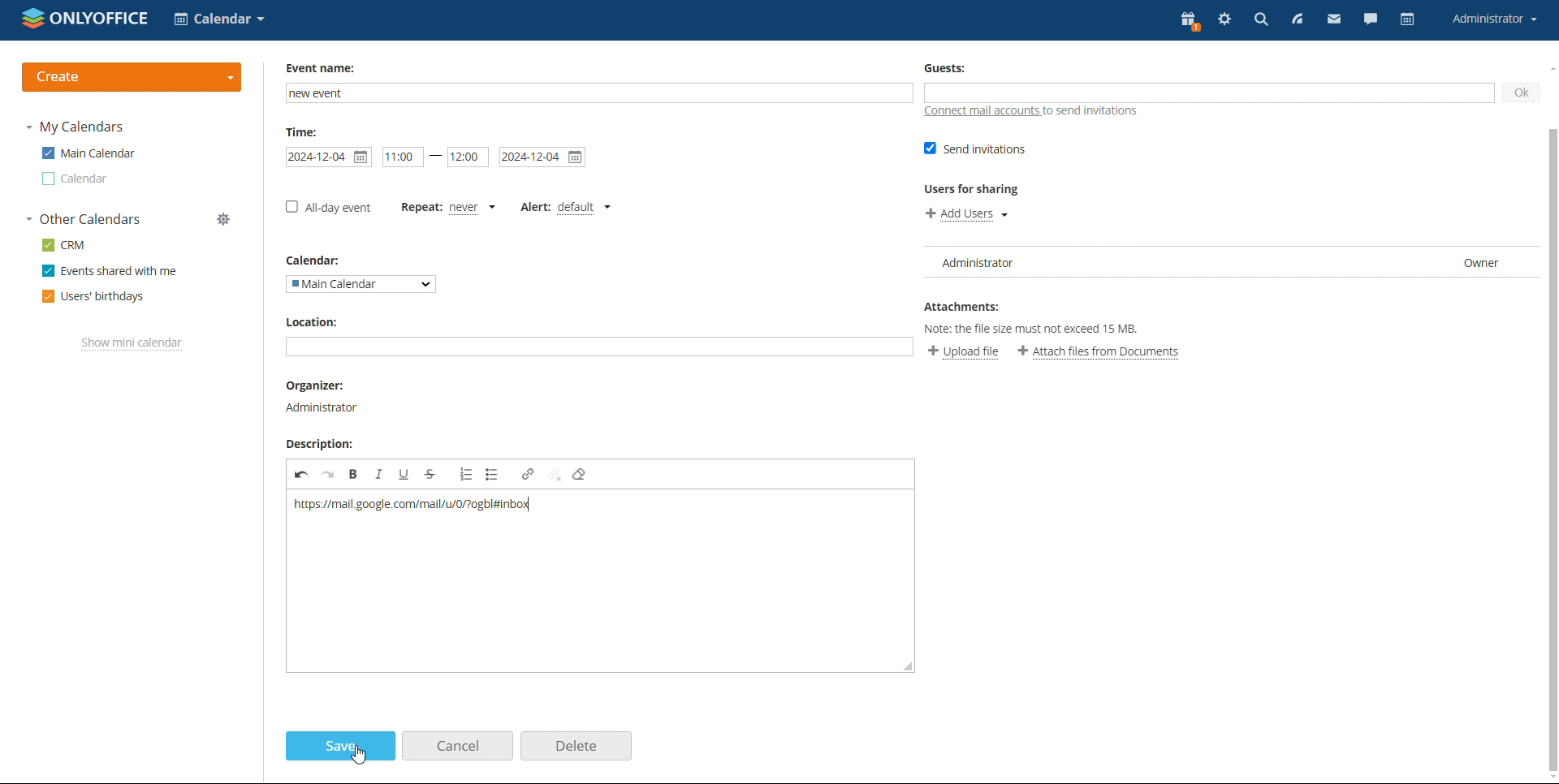 The image size is (1559, 784). Describe the element at coordinates (962, 308) in the screenshot. I see `Attachments:` at that location.